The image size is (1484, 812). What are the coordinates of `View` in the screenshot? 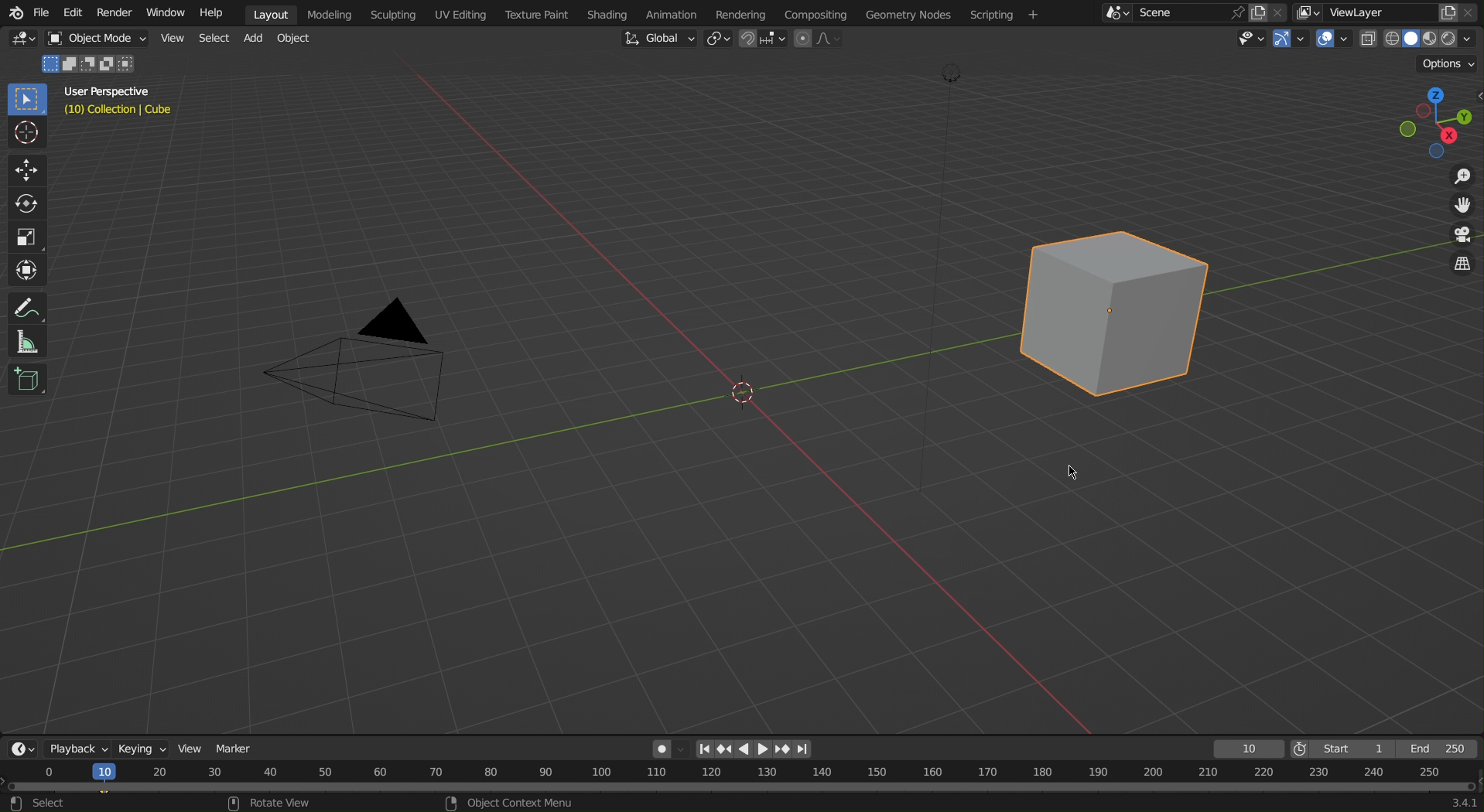 It's located at (190, 747).